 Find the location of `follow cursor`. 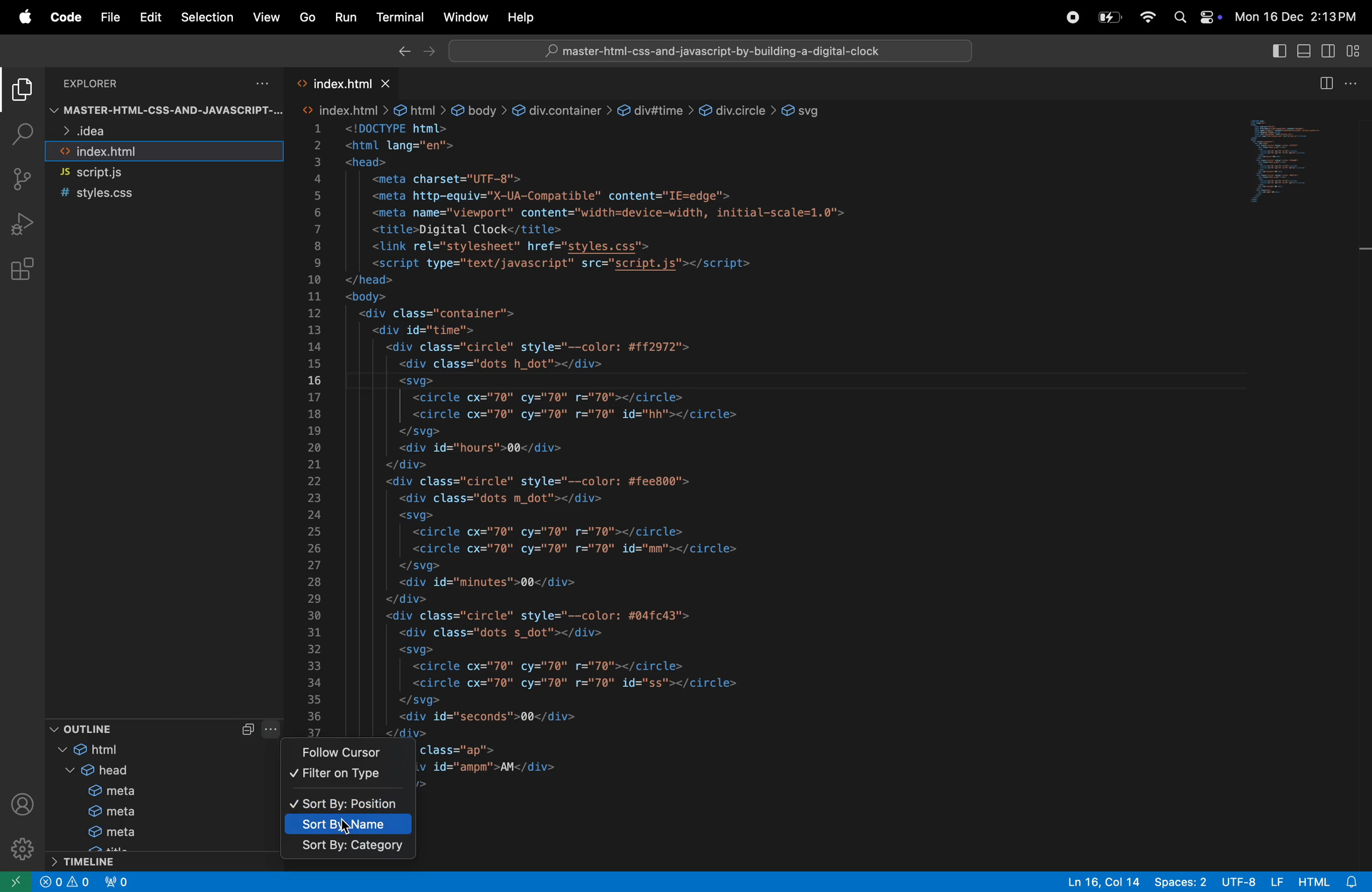

follow cursor is located at coordinates (358, 751).